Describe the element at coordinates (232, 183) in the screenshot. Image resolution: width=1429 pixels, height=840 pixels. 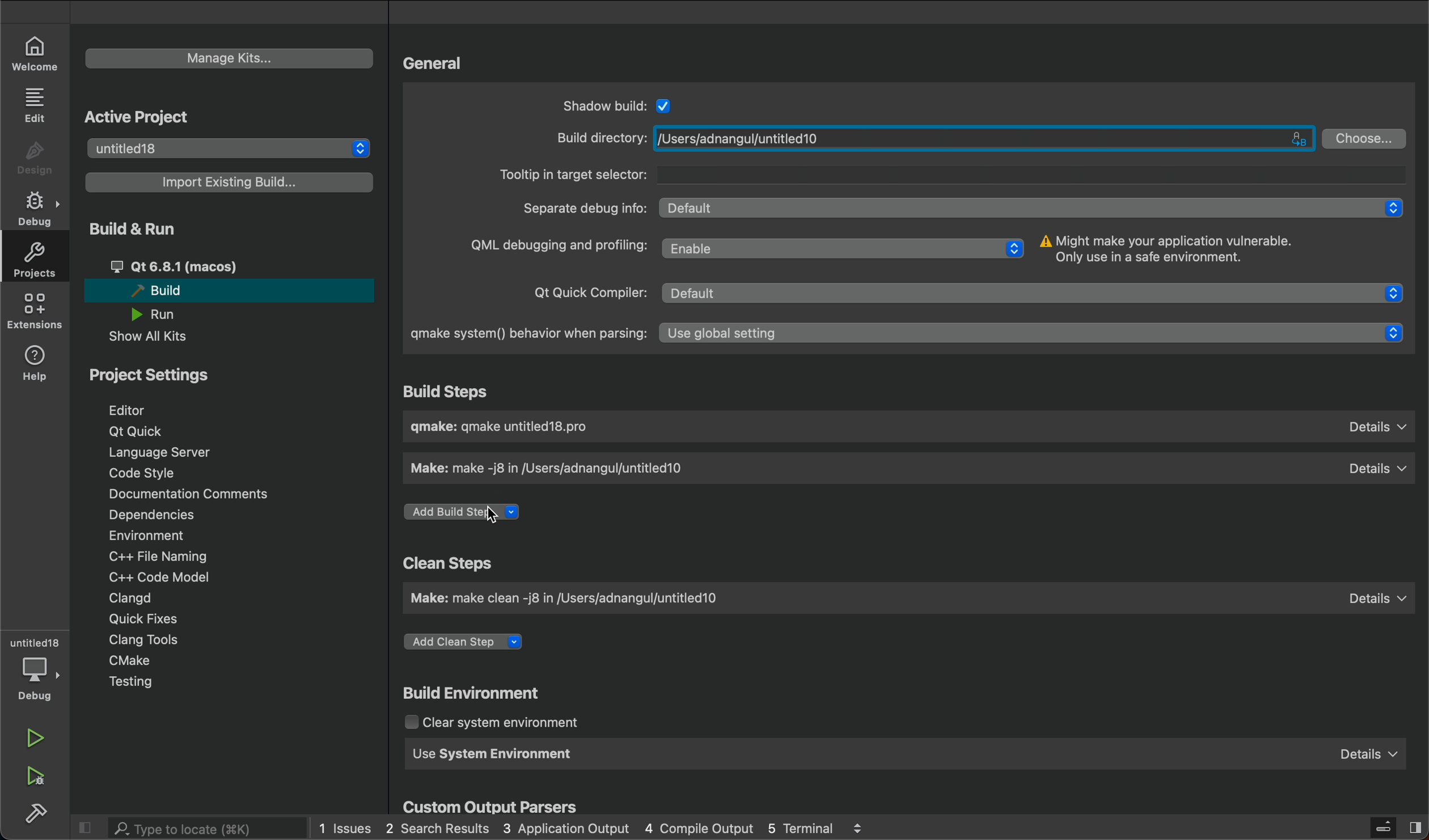
I see `Import Existing Build...` at that location.